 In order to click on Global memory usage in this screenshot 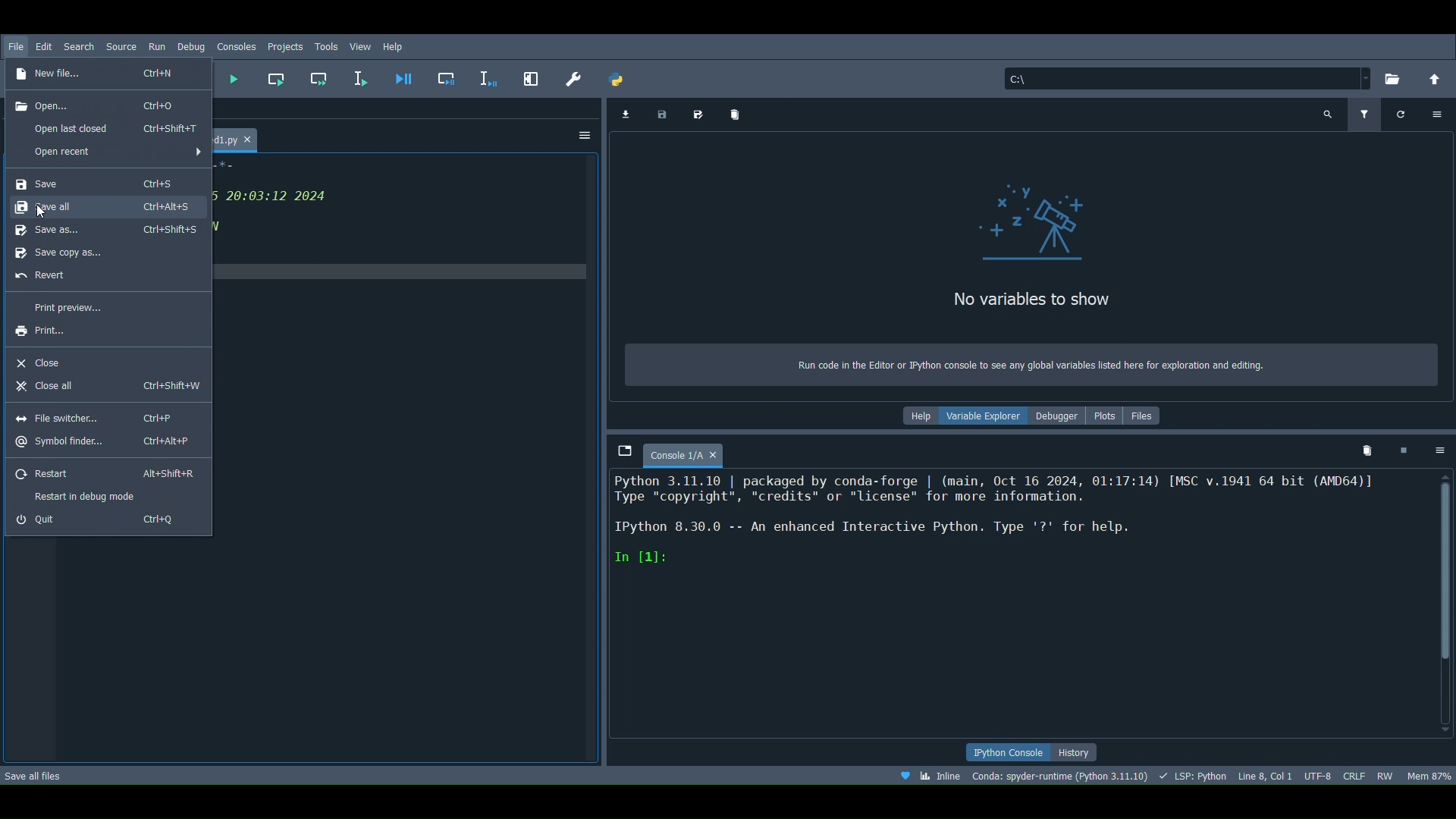, I will do `click(1429, 770)`.